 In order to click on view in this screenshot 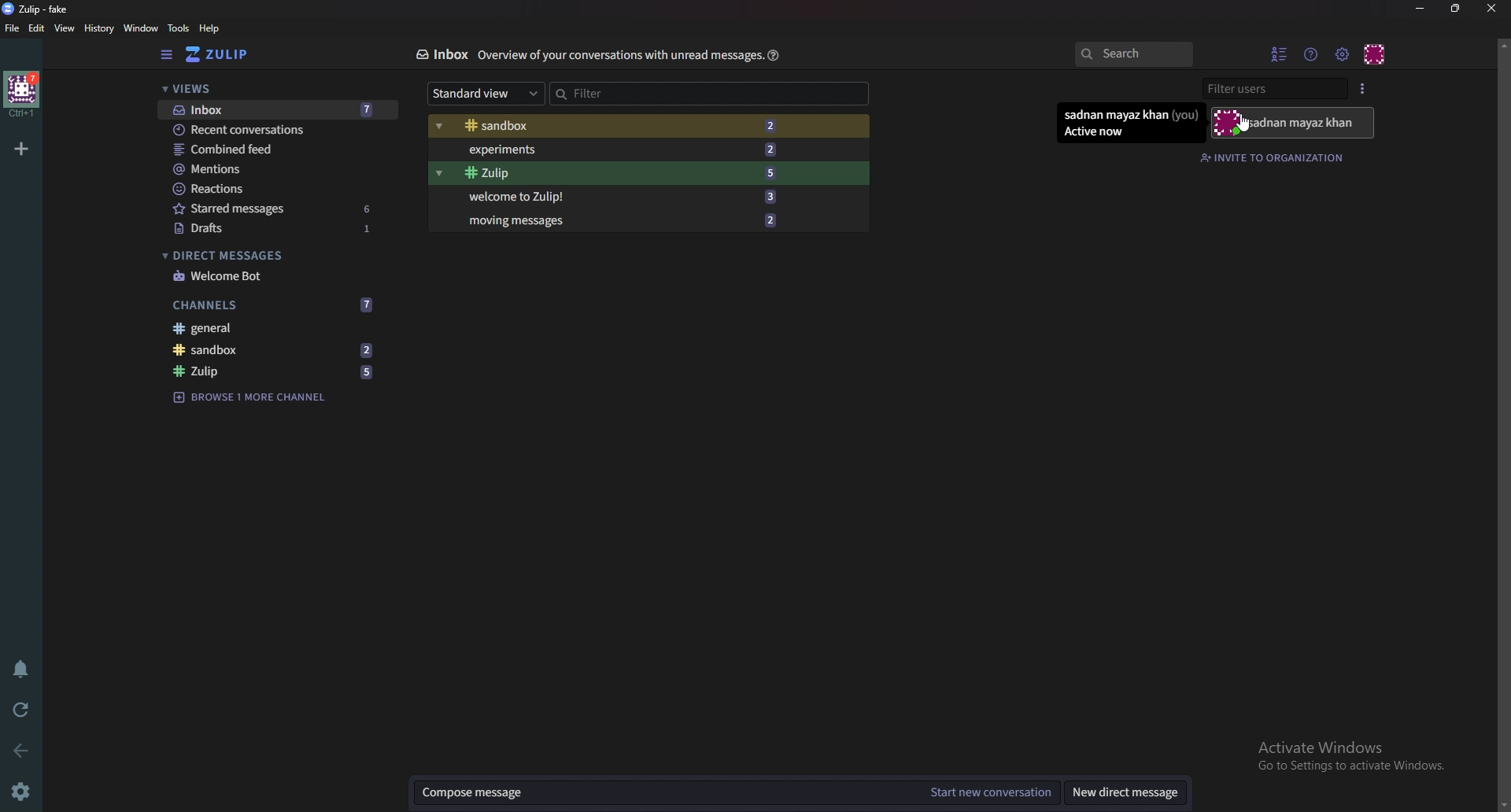, I will do `click(67, 29)`.